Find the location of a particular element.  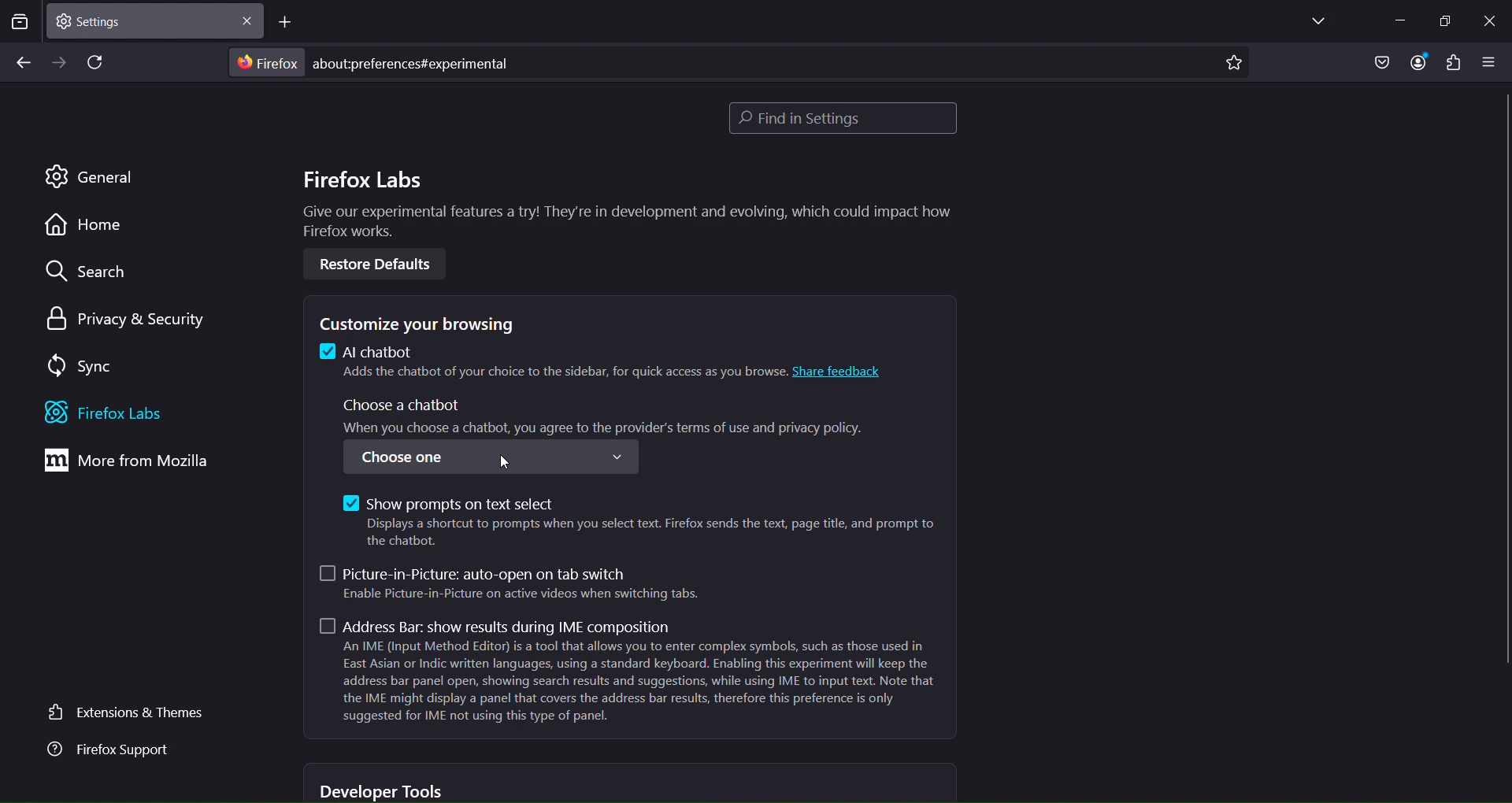

new tab is located at coordinates (287, 24).